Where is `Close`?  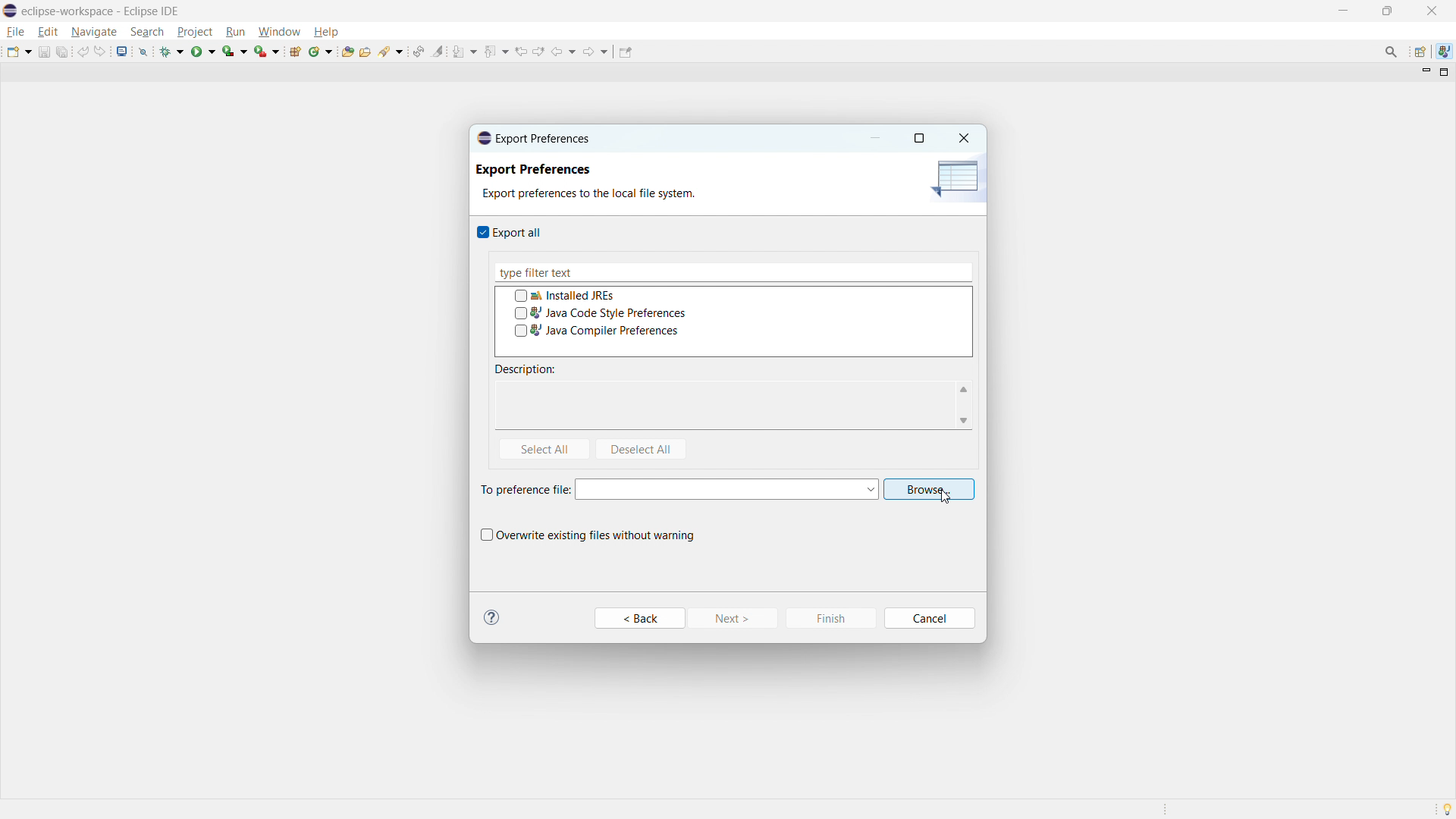 Close is located at coordinates (968, 136).